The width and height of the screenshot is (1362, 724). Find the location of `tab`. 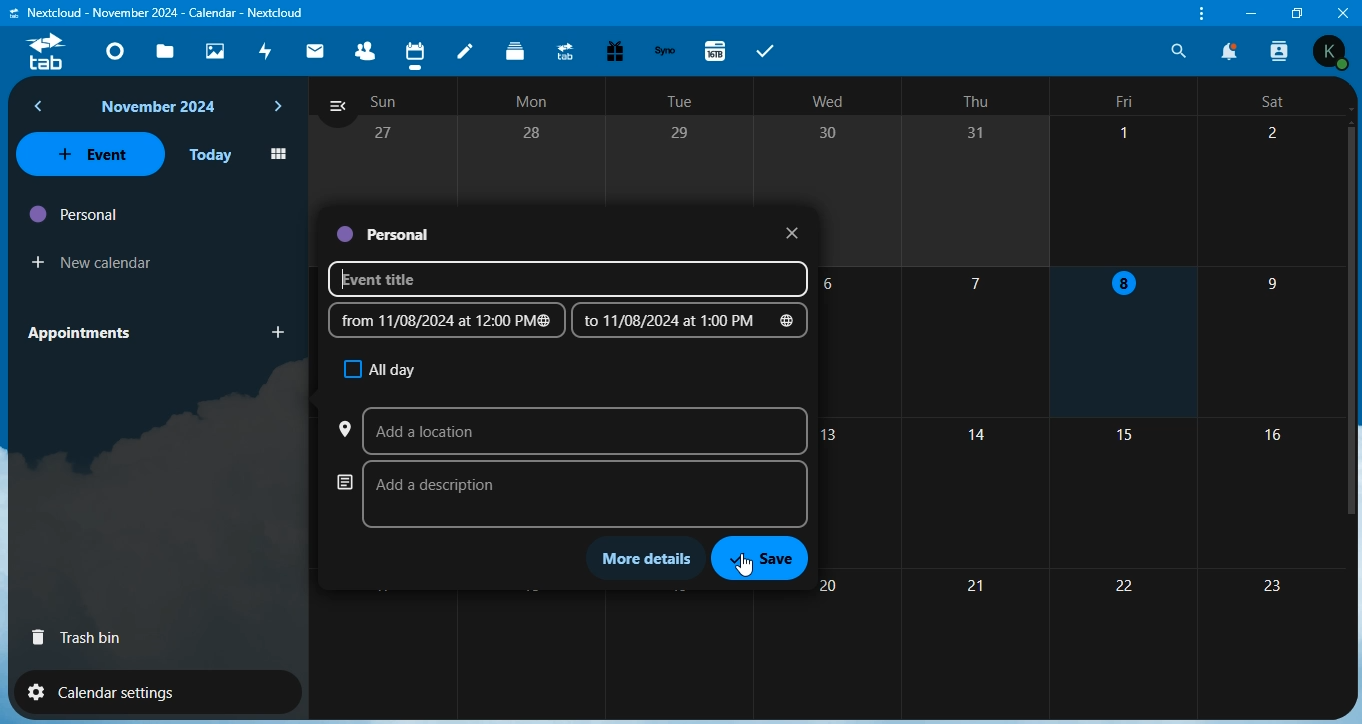

tab is located at coordinates (55, 52).